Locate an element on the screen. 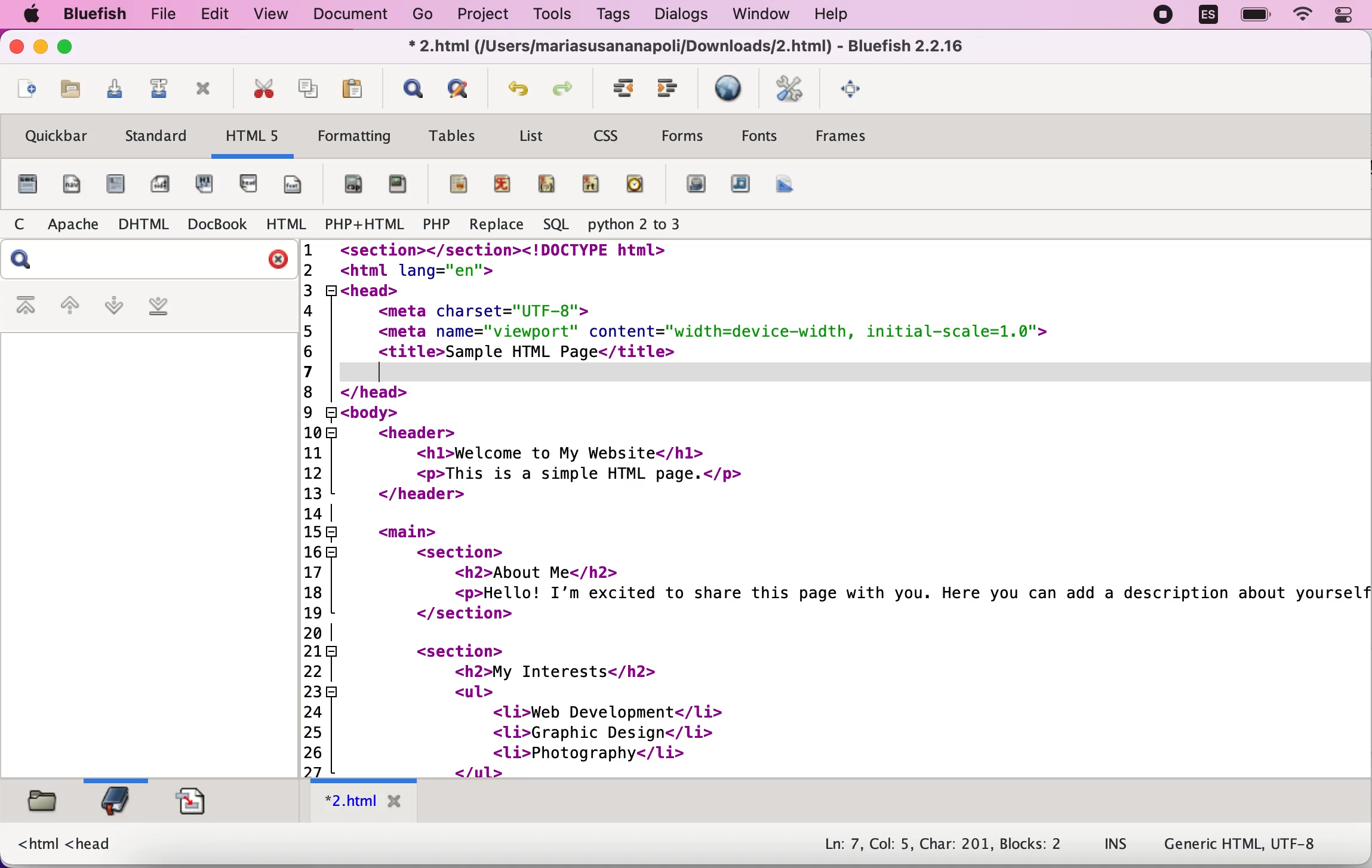 This screenshot has width=1372, height=868. list is located at coordinates (536, 135).